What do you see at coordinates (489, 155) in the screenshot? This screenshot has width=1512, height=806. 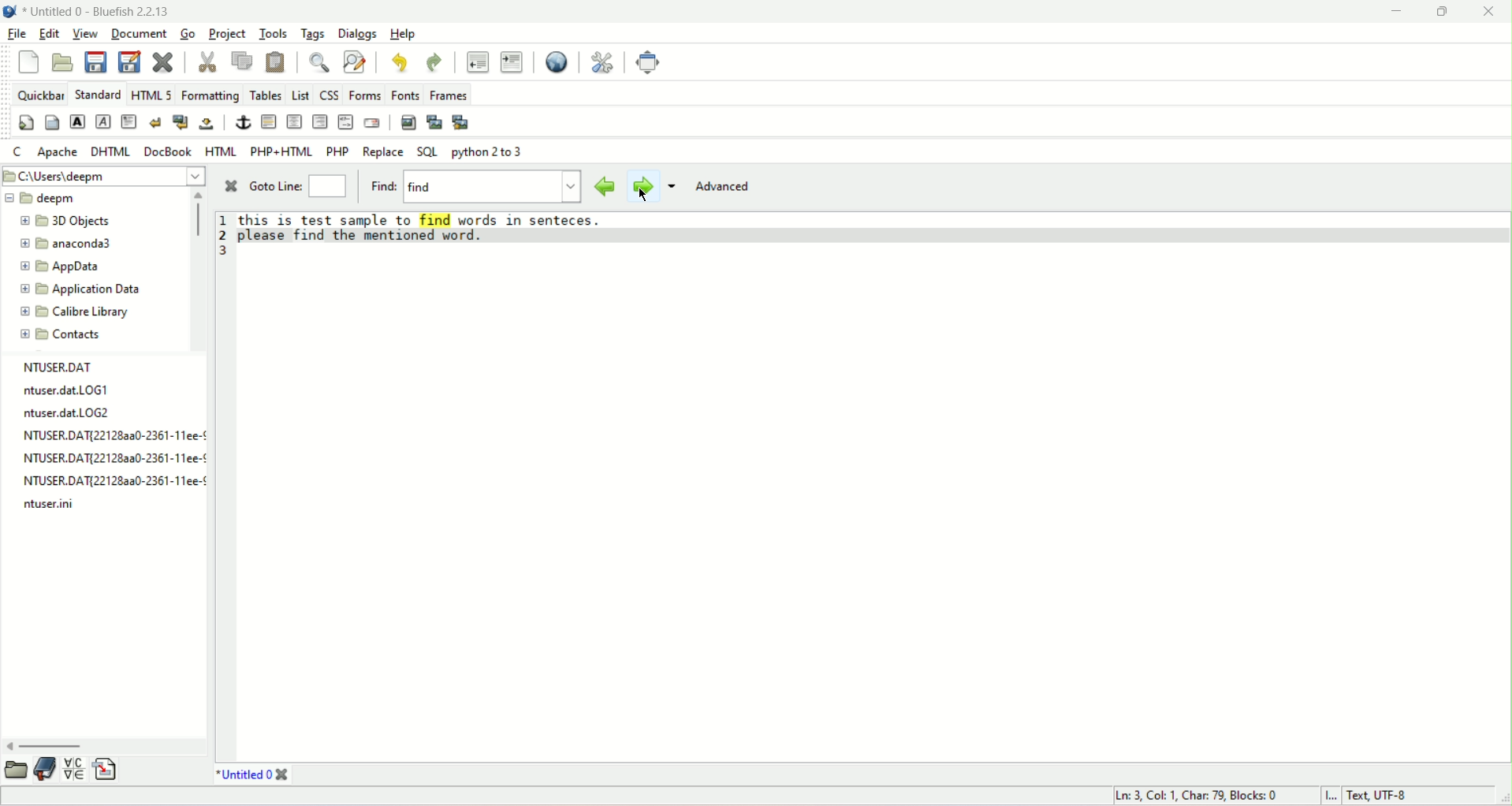 I see `python 2 to 3` at bounding box center [489, 155].